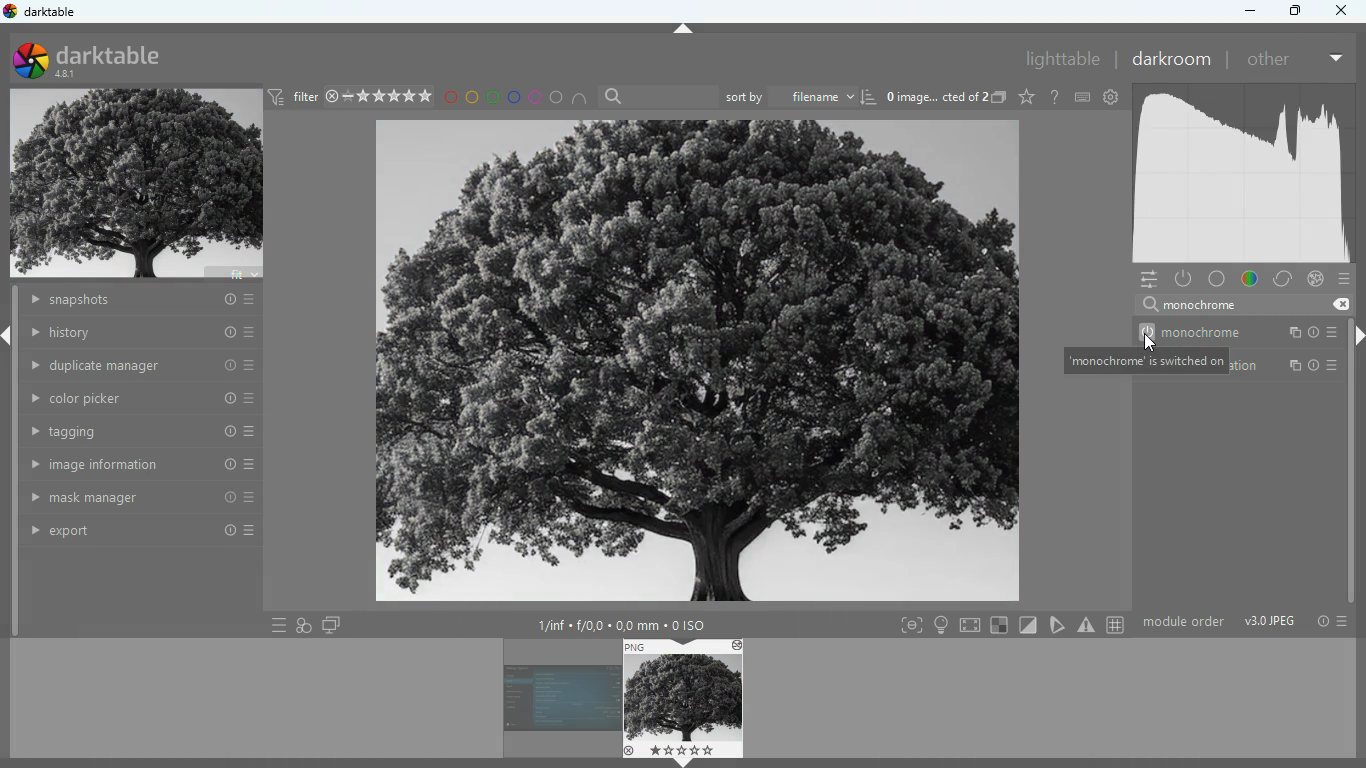 This screenshot has height=768, width=1366. I want to click on maximize, so click(1293, 11).